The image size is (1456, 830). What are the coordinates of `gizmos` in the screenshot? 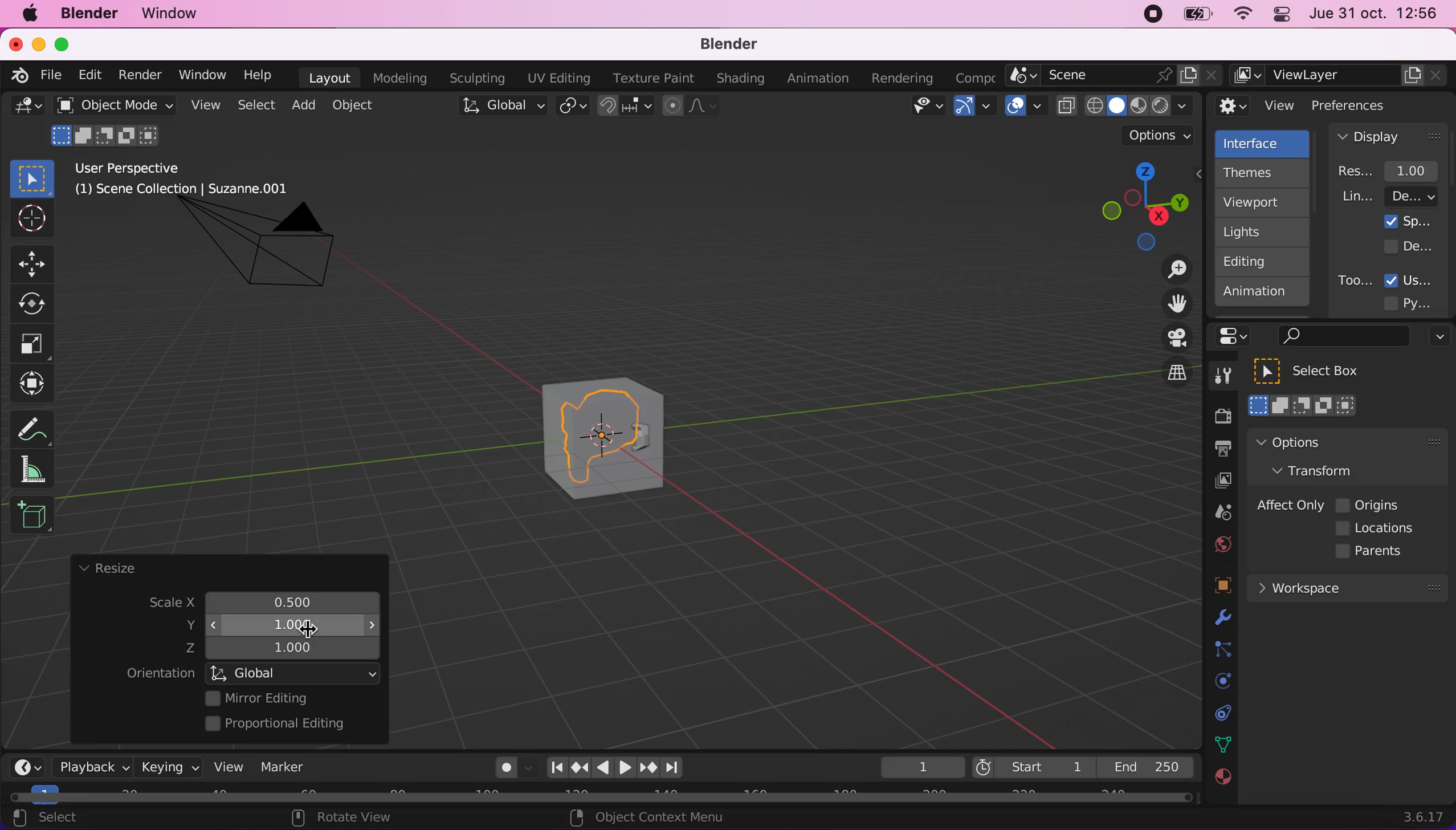 It's located at (974, 109).